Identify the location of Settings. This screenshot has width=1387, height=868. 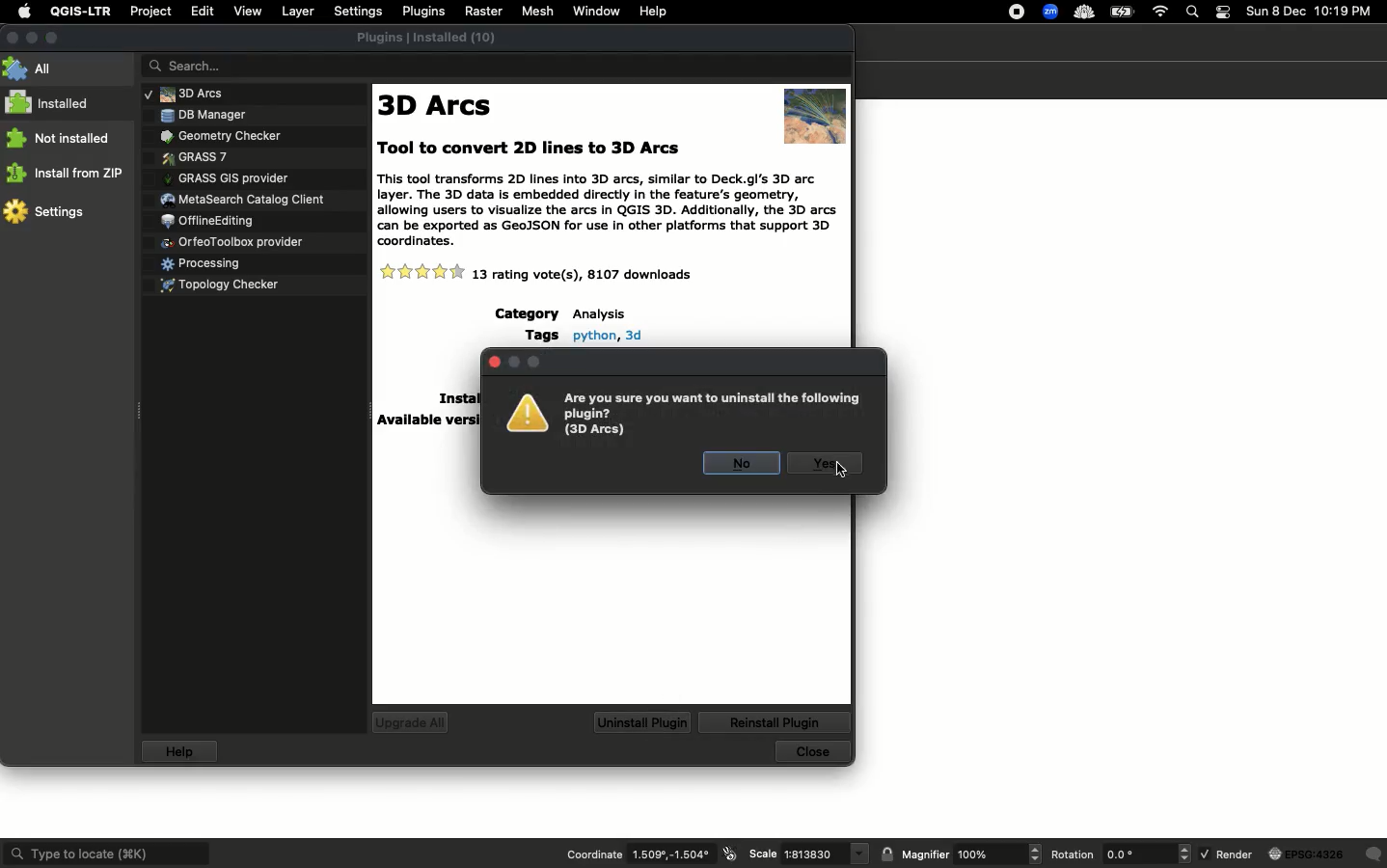
(359, 11).